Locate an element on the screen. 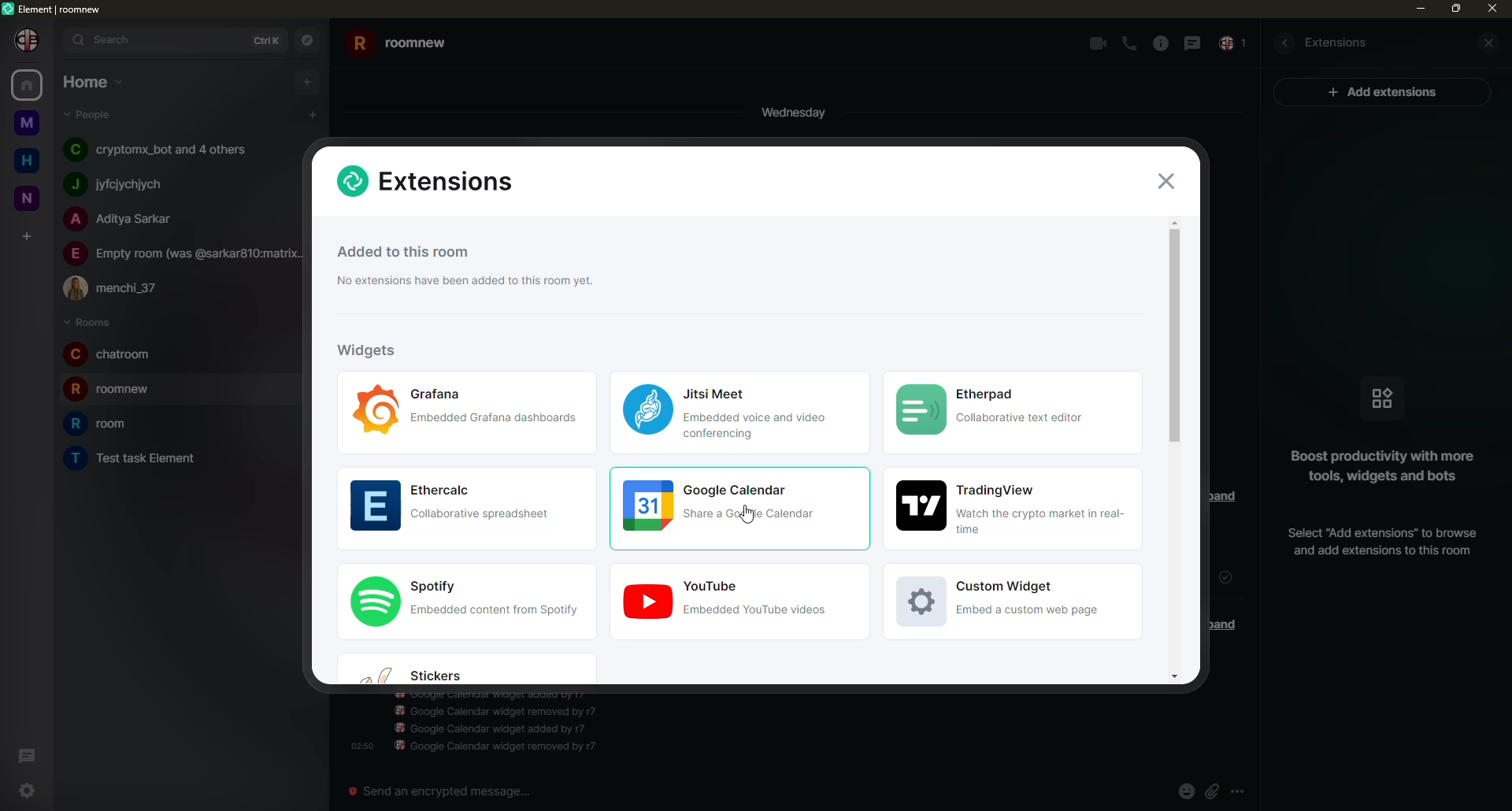 The height and width of the screenshot is (811, 1512). rooms is located at coordinates (87, 321).